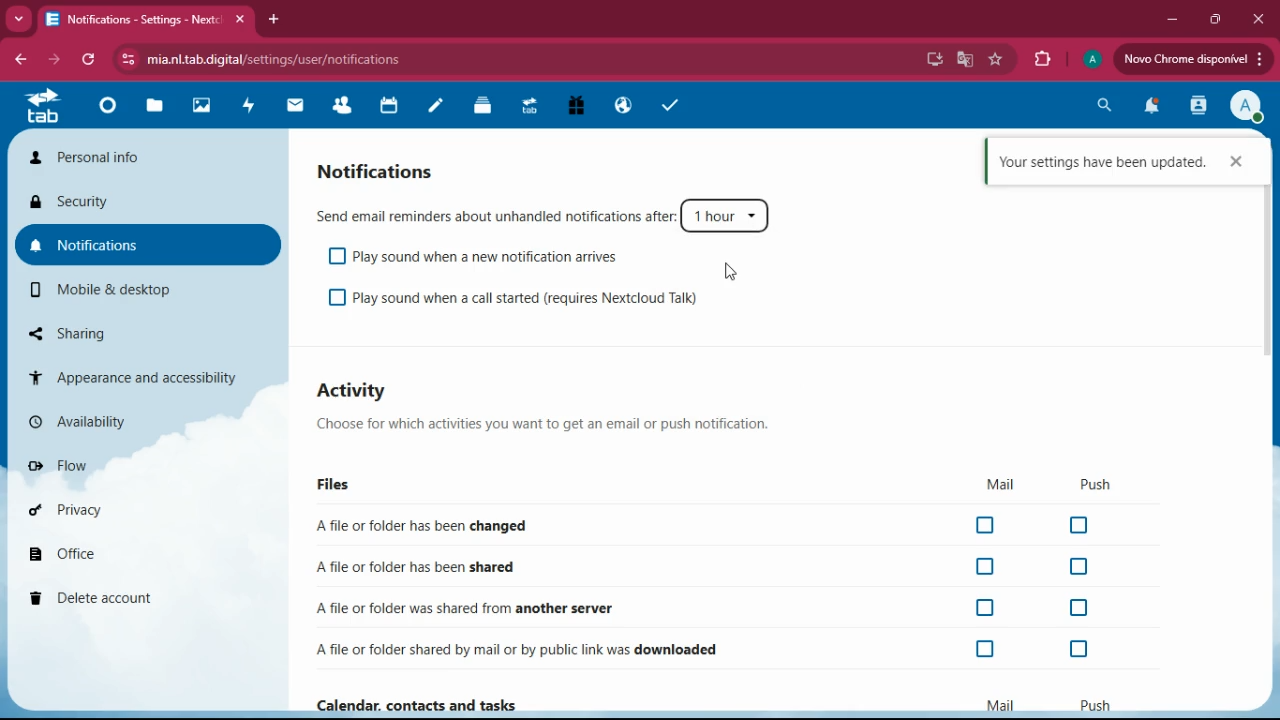  I want to click on files, so click(154, 108).